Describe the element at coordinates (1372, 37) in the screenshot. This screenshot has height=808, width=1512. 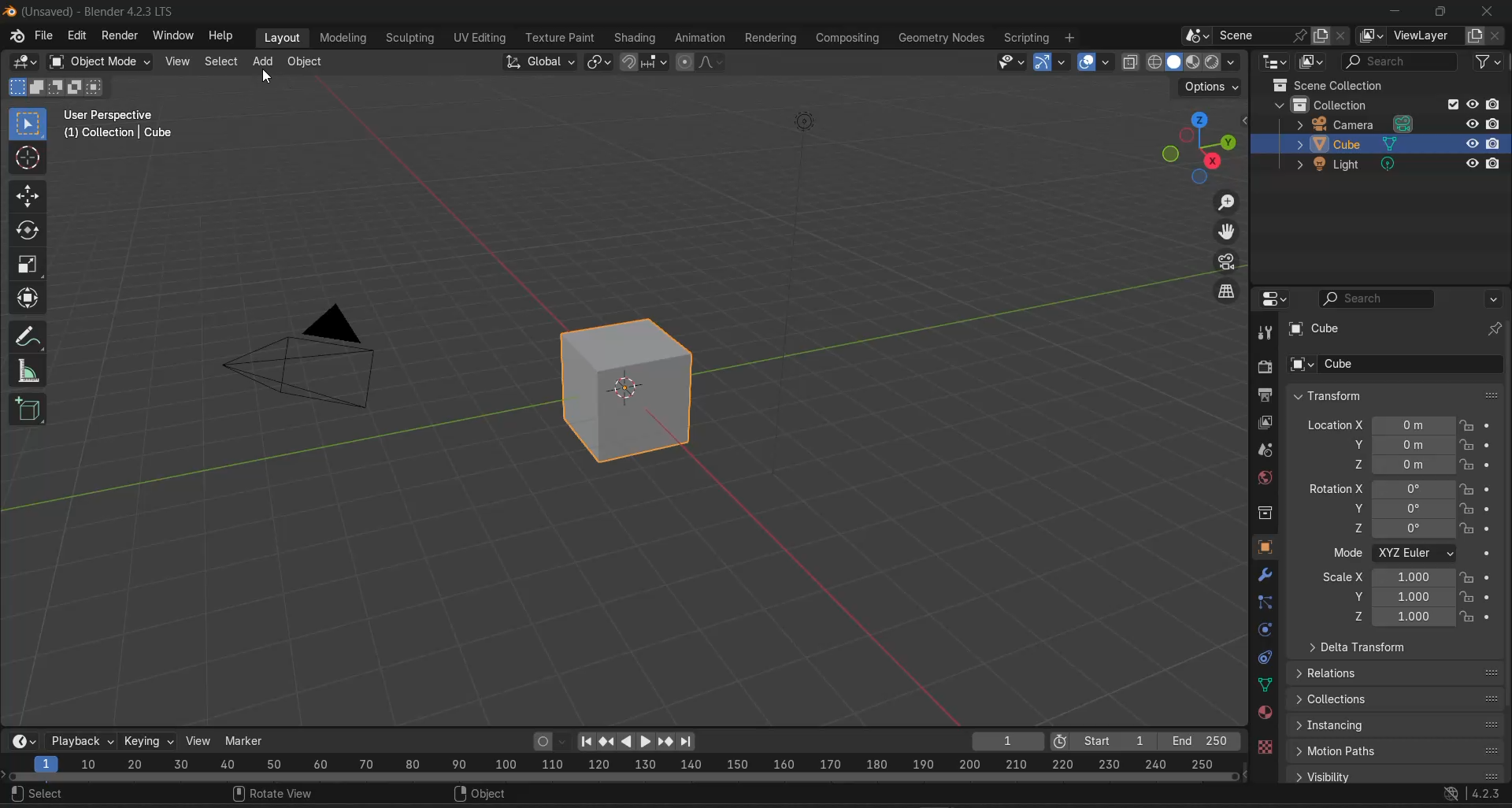
I see `active workspace` at that location.